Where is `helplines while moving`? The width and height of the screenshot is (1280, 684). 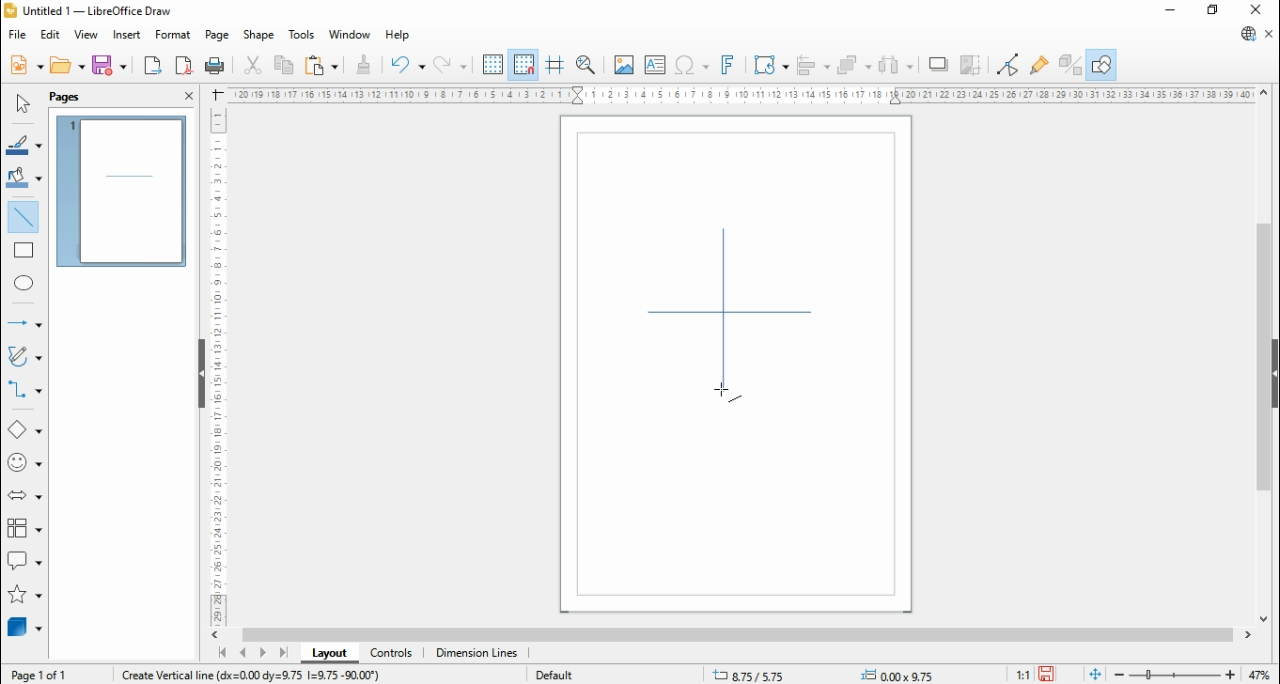 helplines while moving is located at coordinates (554, 63).